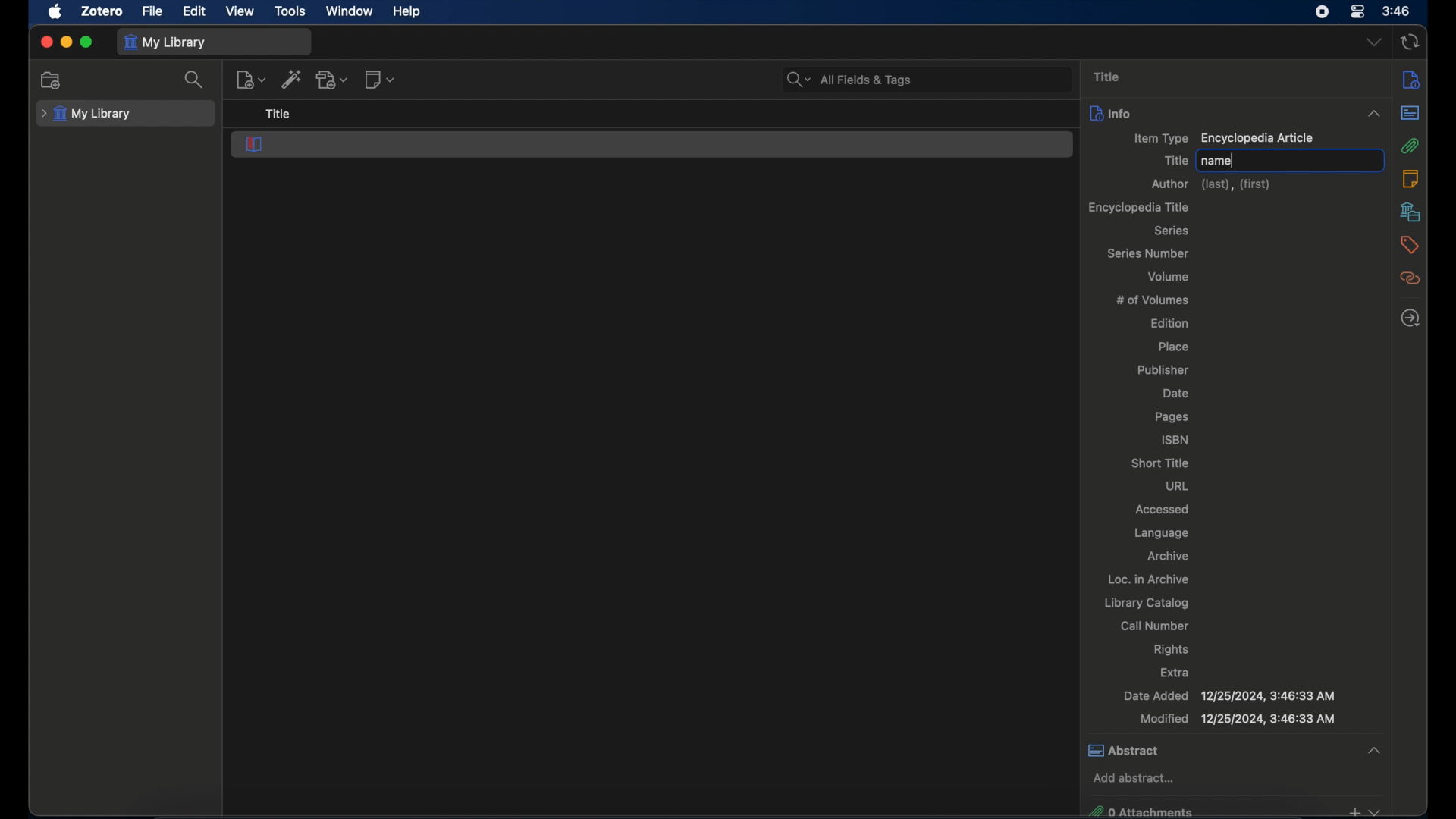 This screenshot has width=1456, height=819. I want to click on add abstract, so click(1134, 779).